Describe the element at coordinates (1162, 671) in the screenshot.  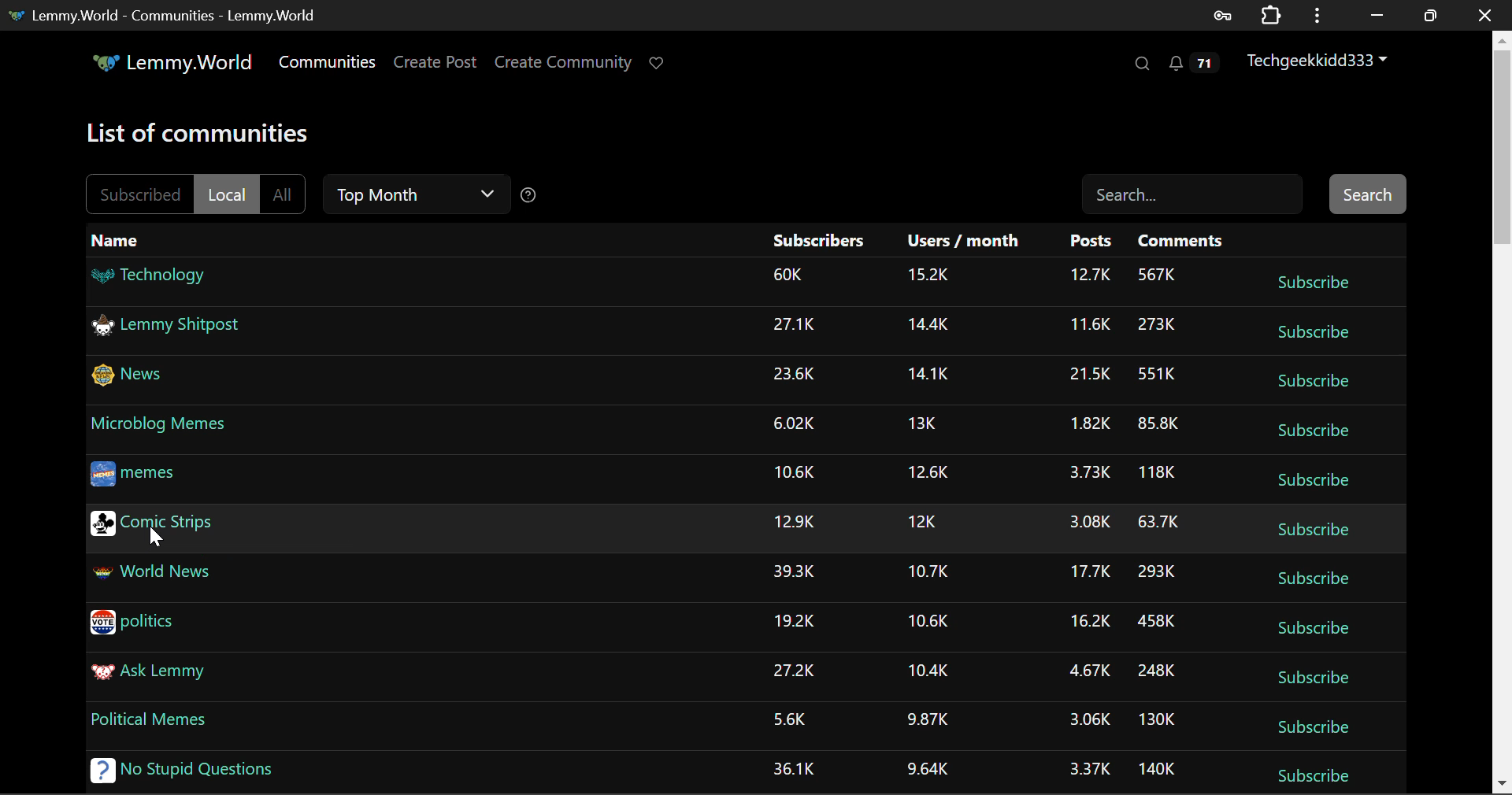
I see `248K` at that location.